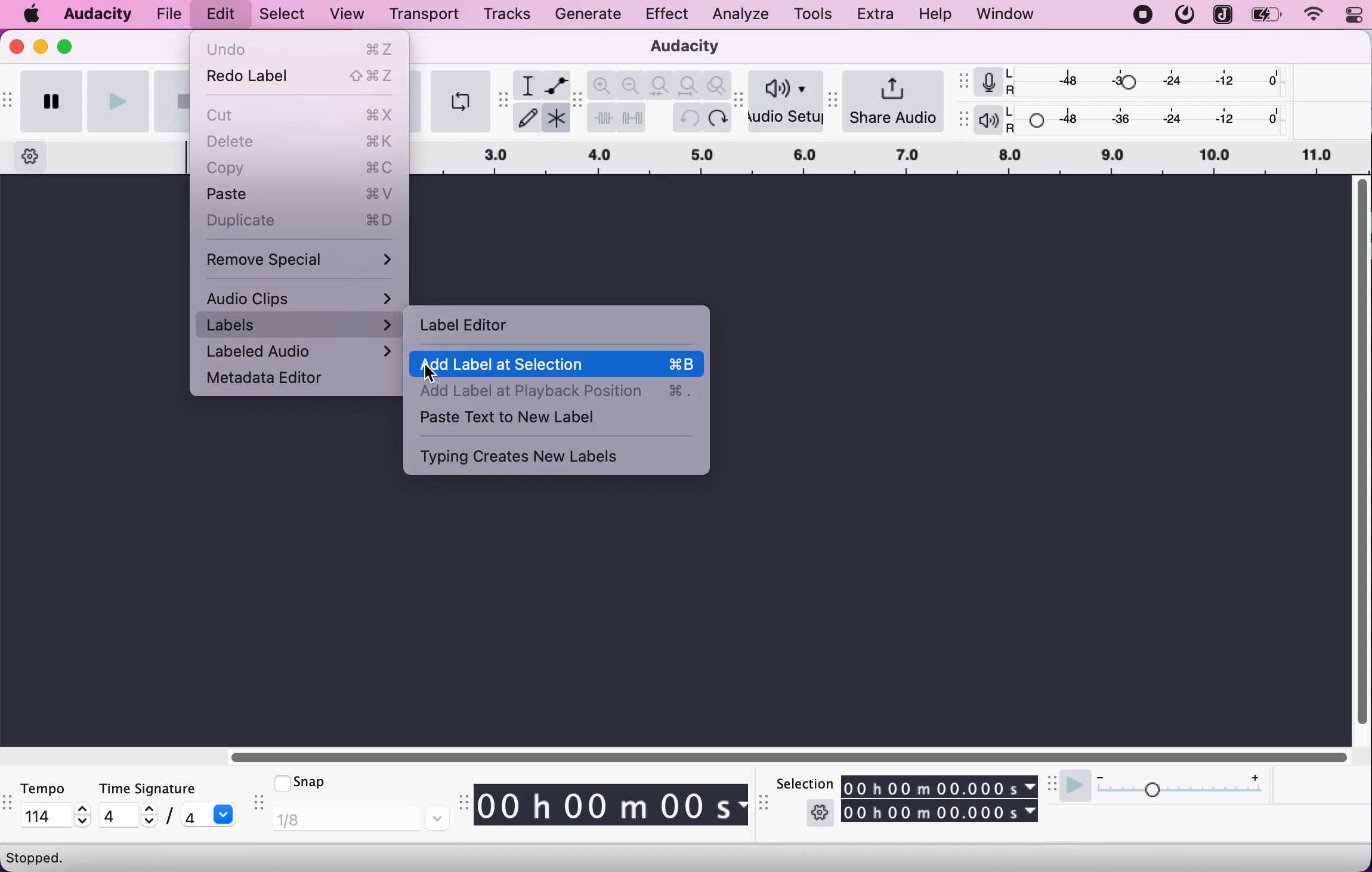 This screenshot has height=872, width=1372. Describe the element at coordinates (1149, 118) in the screenshot. I see `playback level` at that location.